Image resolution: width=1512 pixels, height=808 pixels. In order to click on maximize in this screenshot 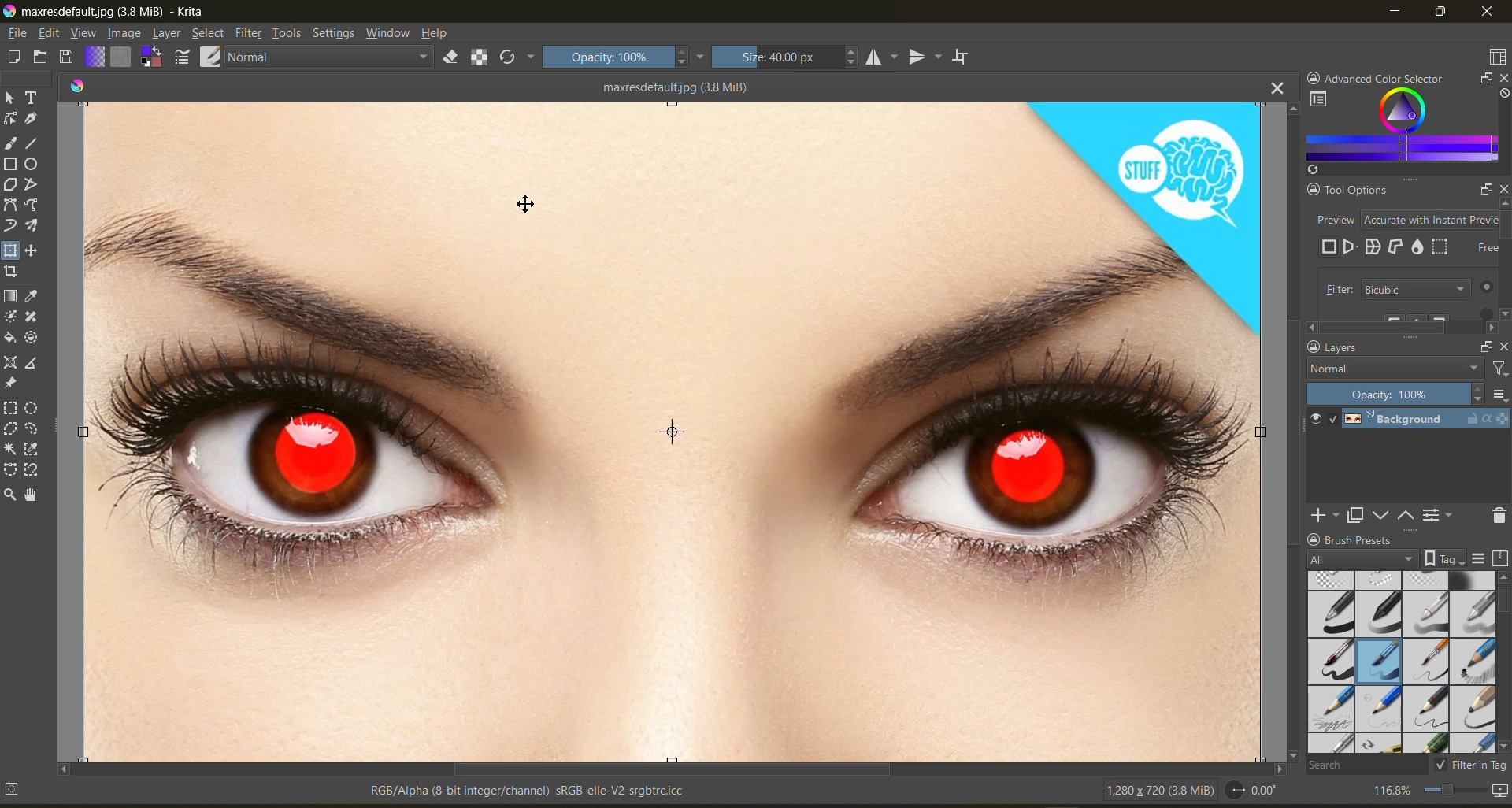, I will do `click(1443, 13)`.